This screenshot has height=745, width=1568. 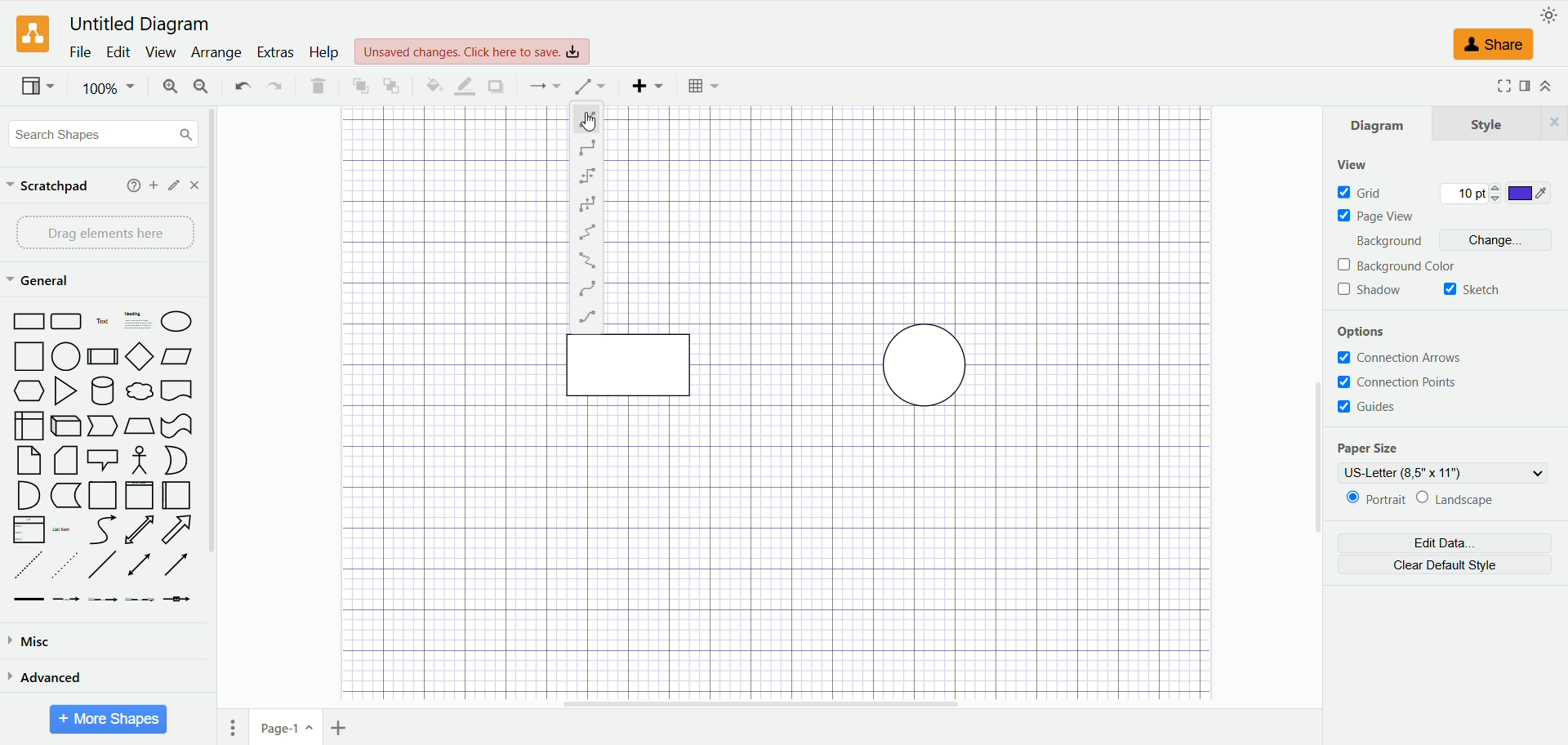 I want to click on shadow, so click(x=496, y=87).